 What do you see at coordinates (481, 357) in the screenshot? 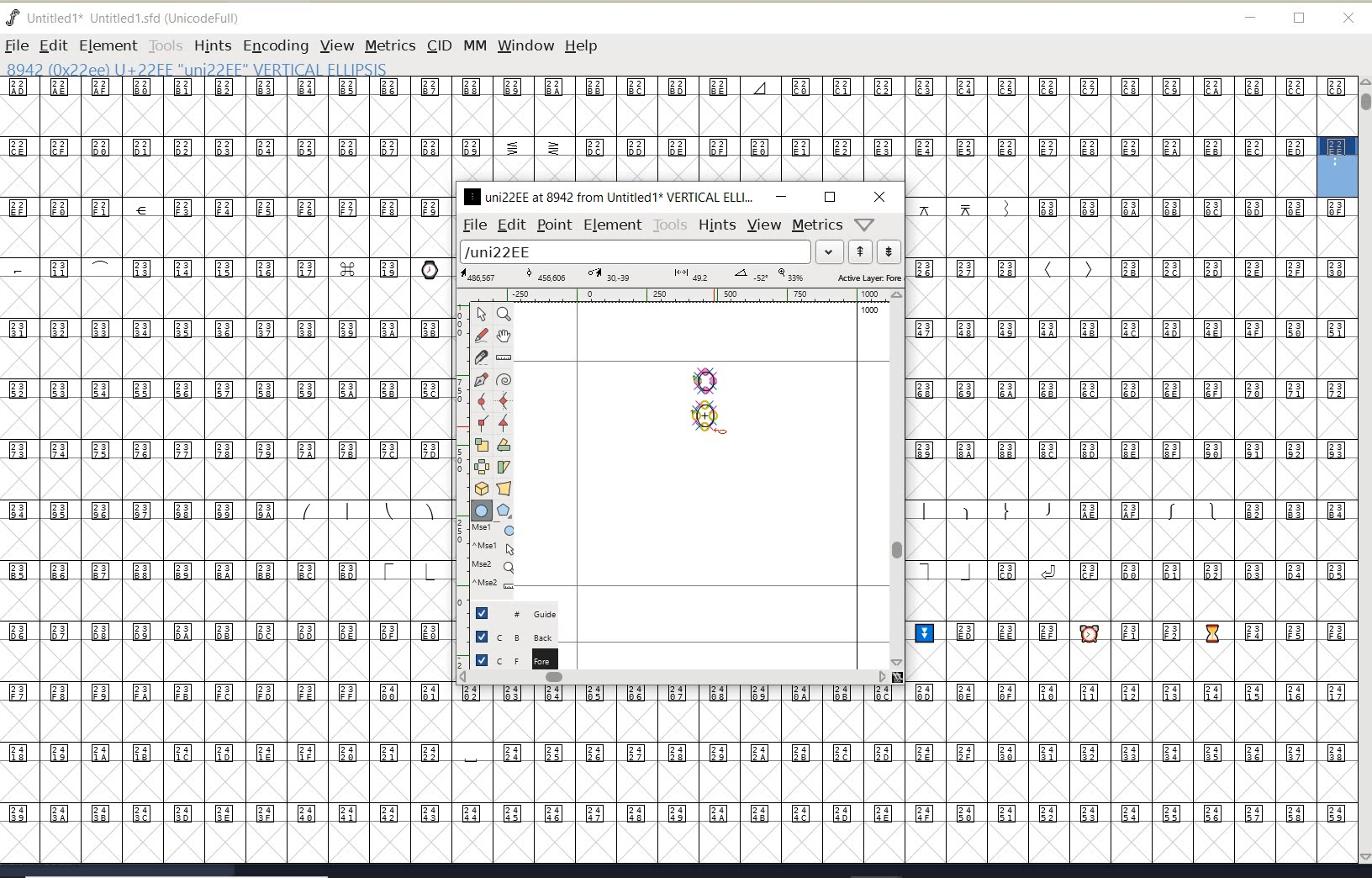
I see `cut splines in two` at bounding box center [481, 357].